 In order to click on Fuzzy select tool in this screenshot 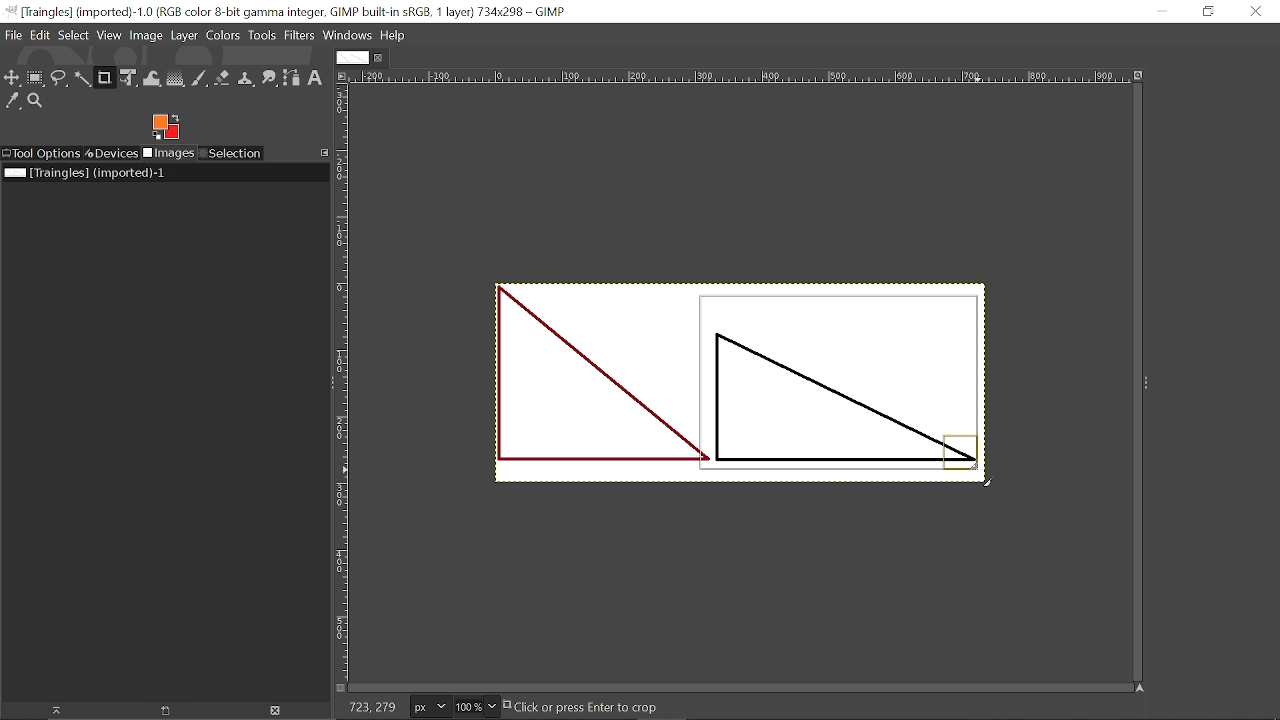, I will do `click(83, 80)`.